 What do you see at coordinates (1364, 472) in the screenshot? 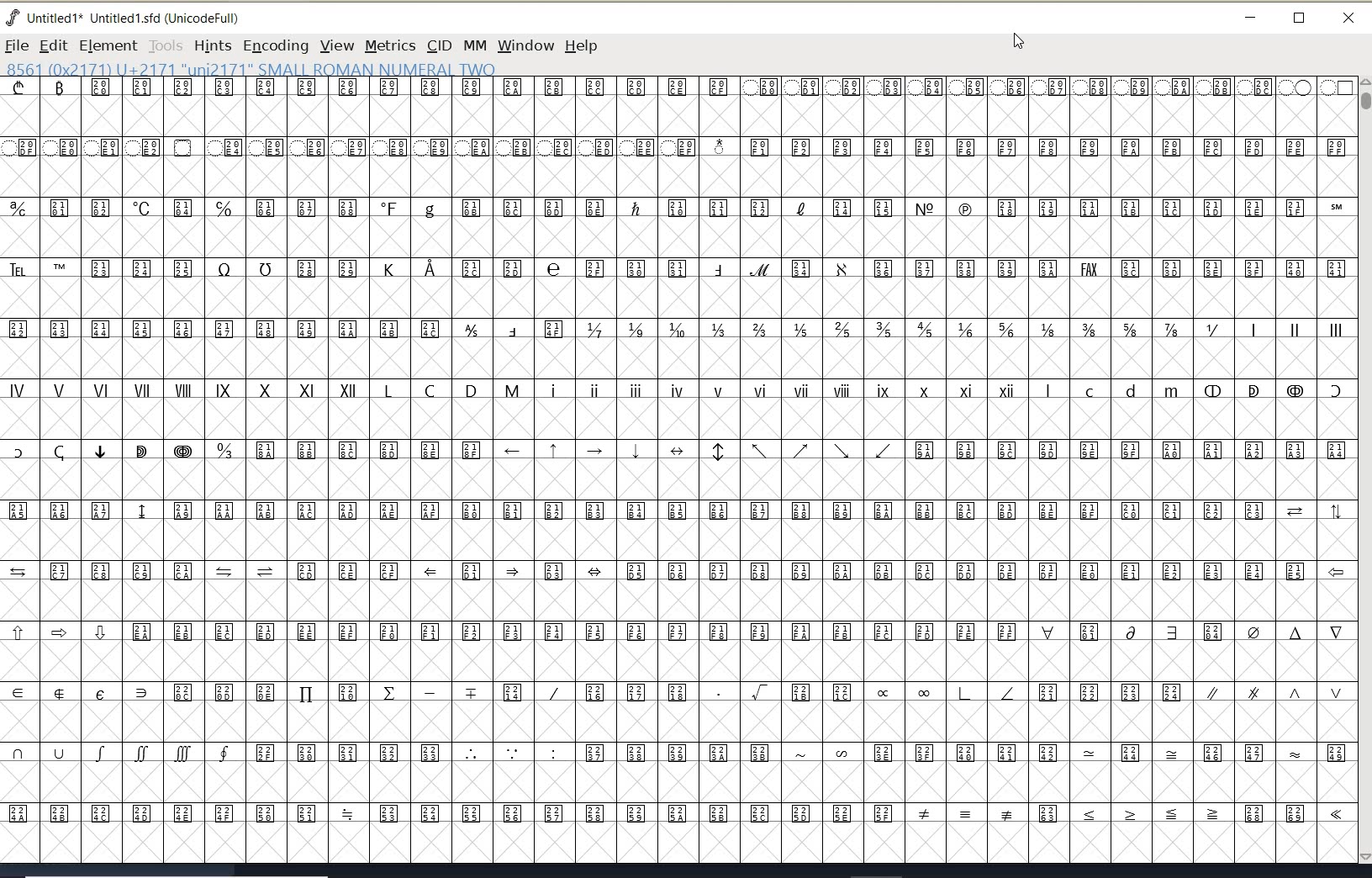
I see `SCROLLBAR` at bounding box center [1364, 472].